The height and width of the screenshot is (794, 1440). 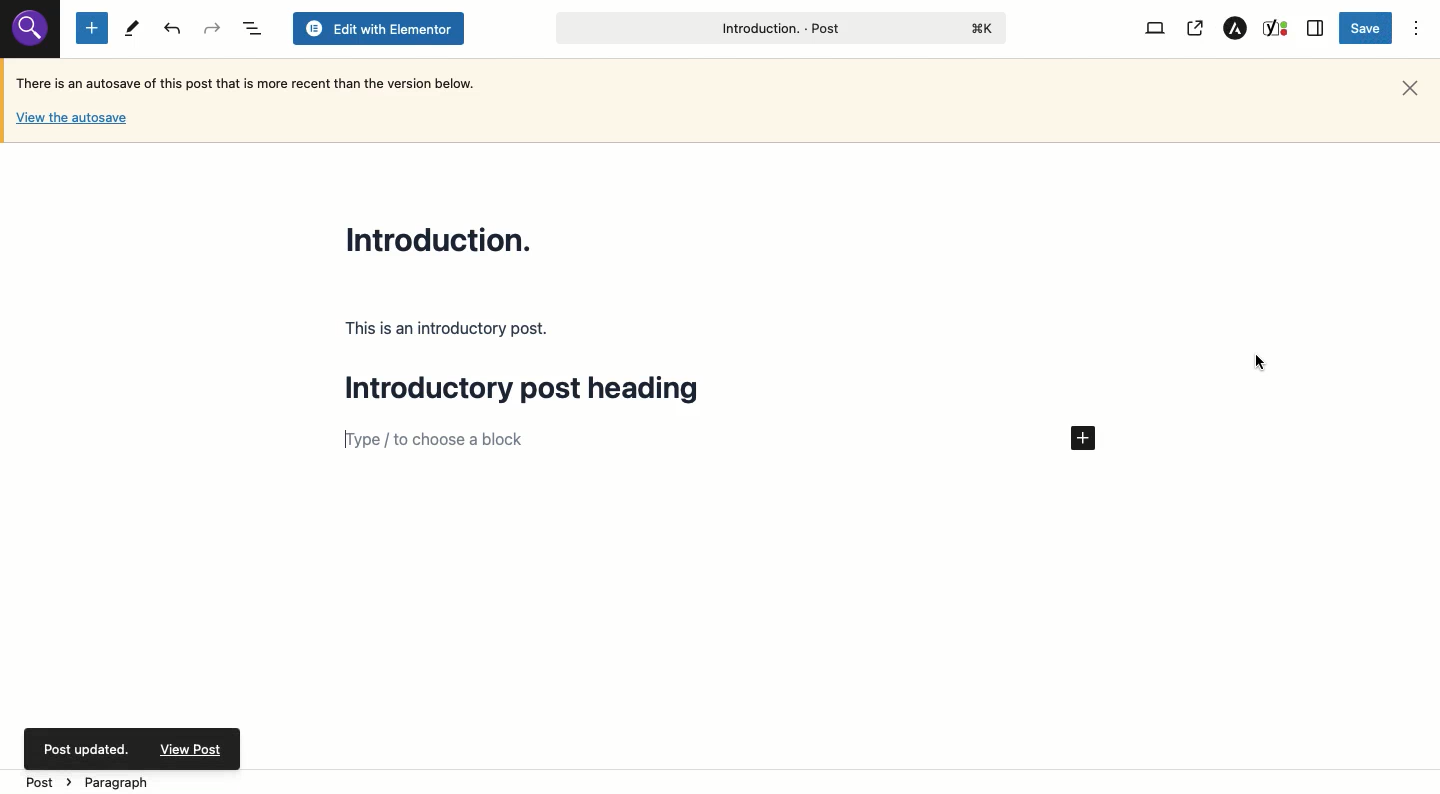 What do you see at coordinates (211, 28) in the screenshot?
I see `Undo` at bounding box center [211, 28].